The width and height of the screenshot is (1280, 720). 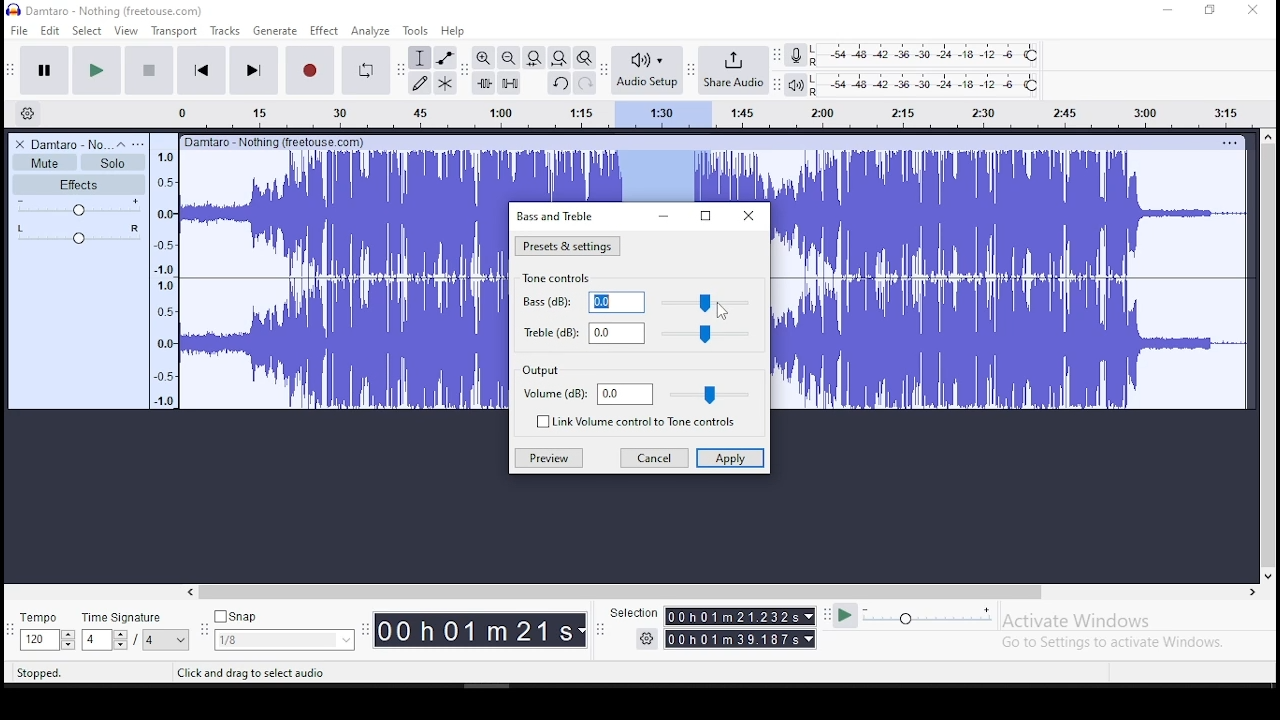 What do you see at coordinates (510, 83) in the screenshot?
I see `silence audio signal` at bounding box center [510, 83].